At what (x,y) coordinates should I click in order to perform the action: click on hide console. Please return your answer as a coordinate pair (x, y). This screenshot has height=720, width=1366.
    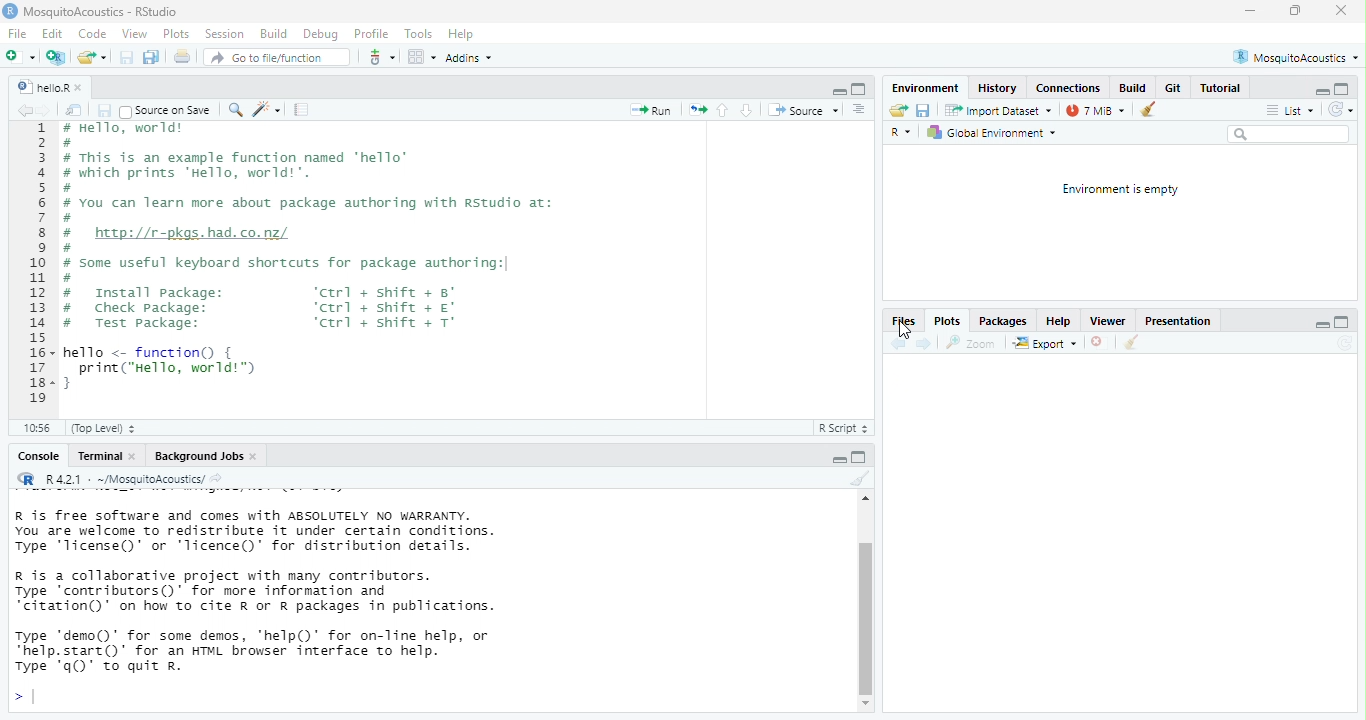
    Looking at the image, I should click on (861, 88).